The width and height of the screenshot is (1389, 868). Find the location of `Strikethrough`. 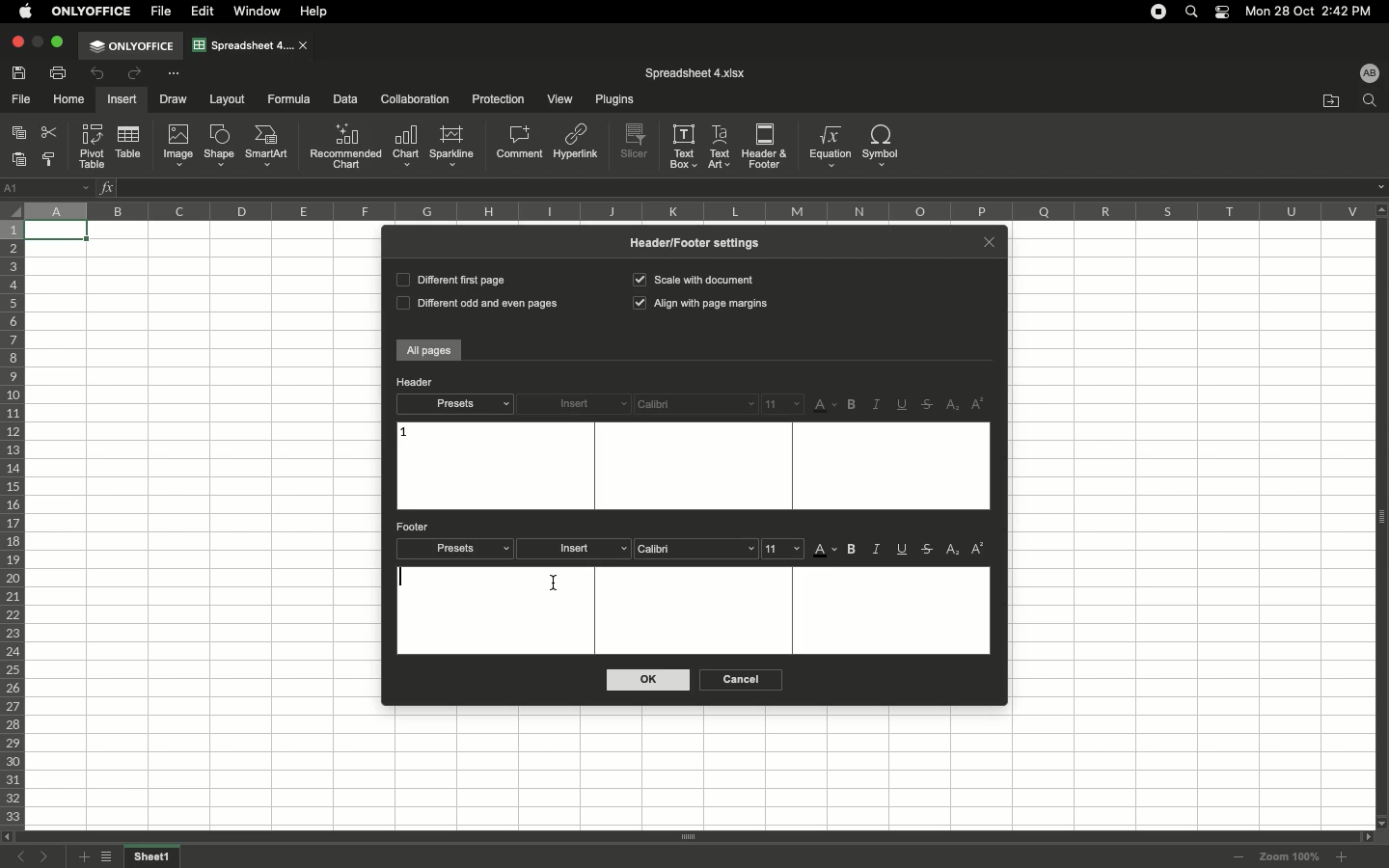

Strikethrough is located at coordinates (930, 404).